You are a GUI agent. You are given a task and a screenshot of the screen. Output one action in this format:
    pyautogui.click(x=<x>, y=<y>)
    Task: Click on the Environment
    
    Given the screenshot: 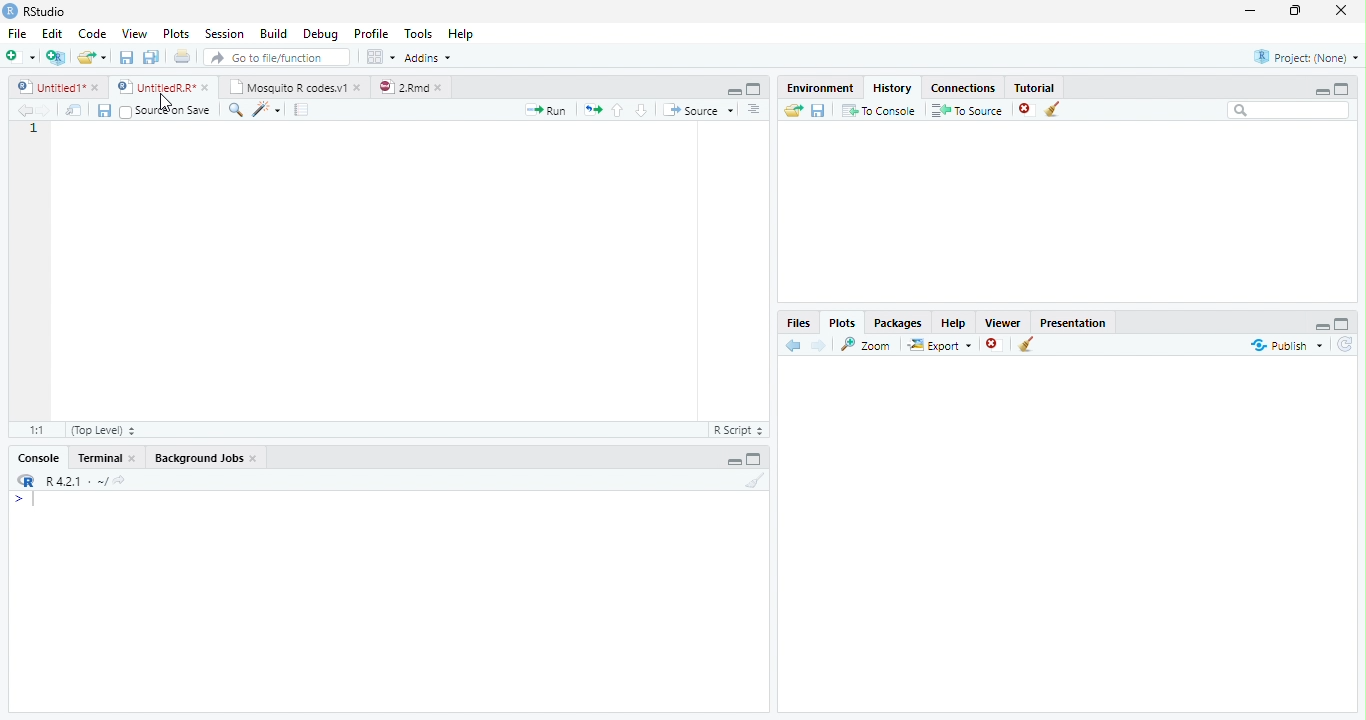 What is the action you would take?
    pyautogui.click(x=821, y=87)
    